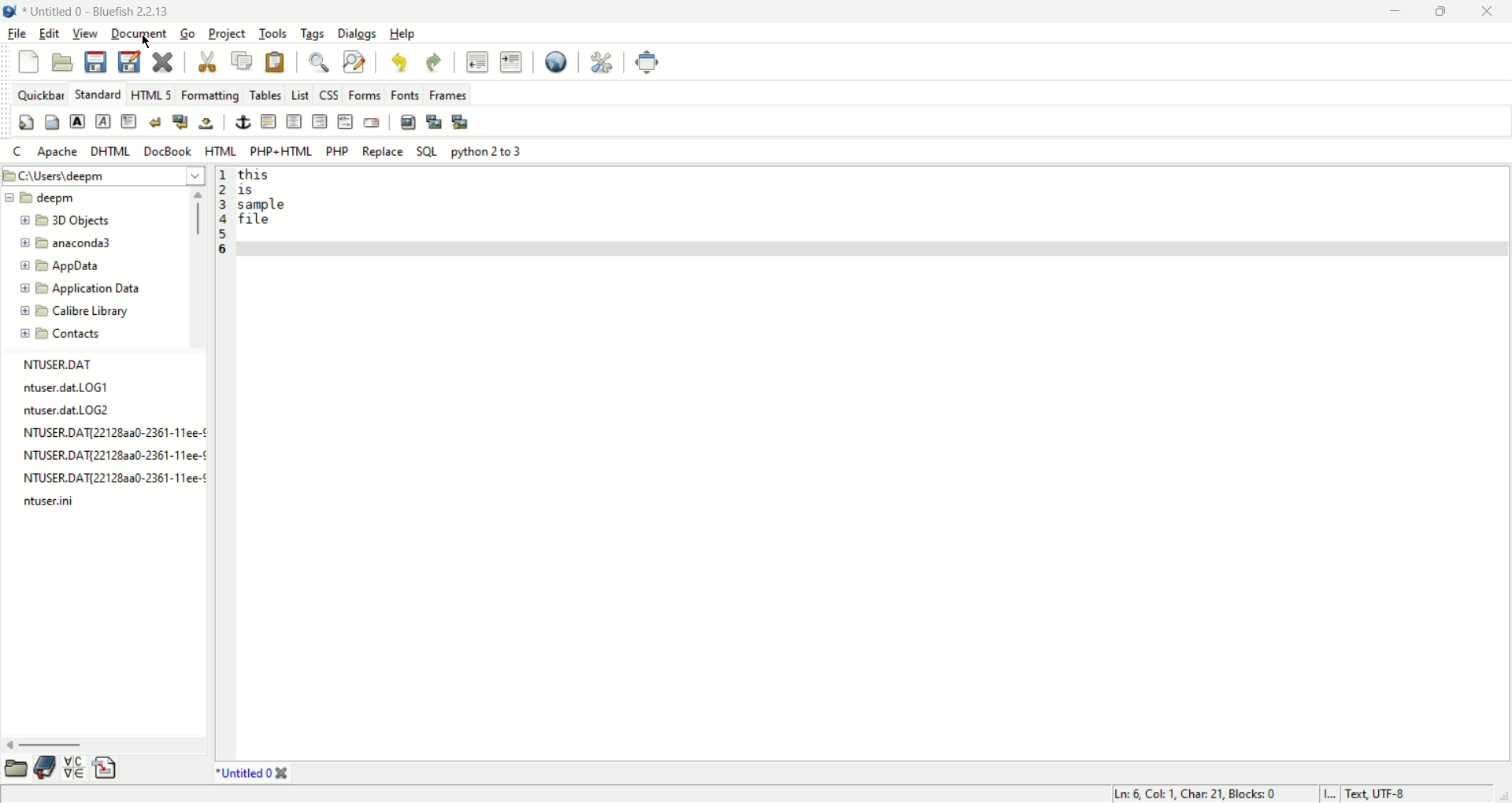 This screenshot has height=803, width=1512. Describe the element at coordinates (406, 122) in the screenshot. I see `insert image` at that location.